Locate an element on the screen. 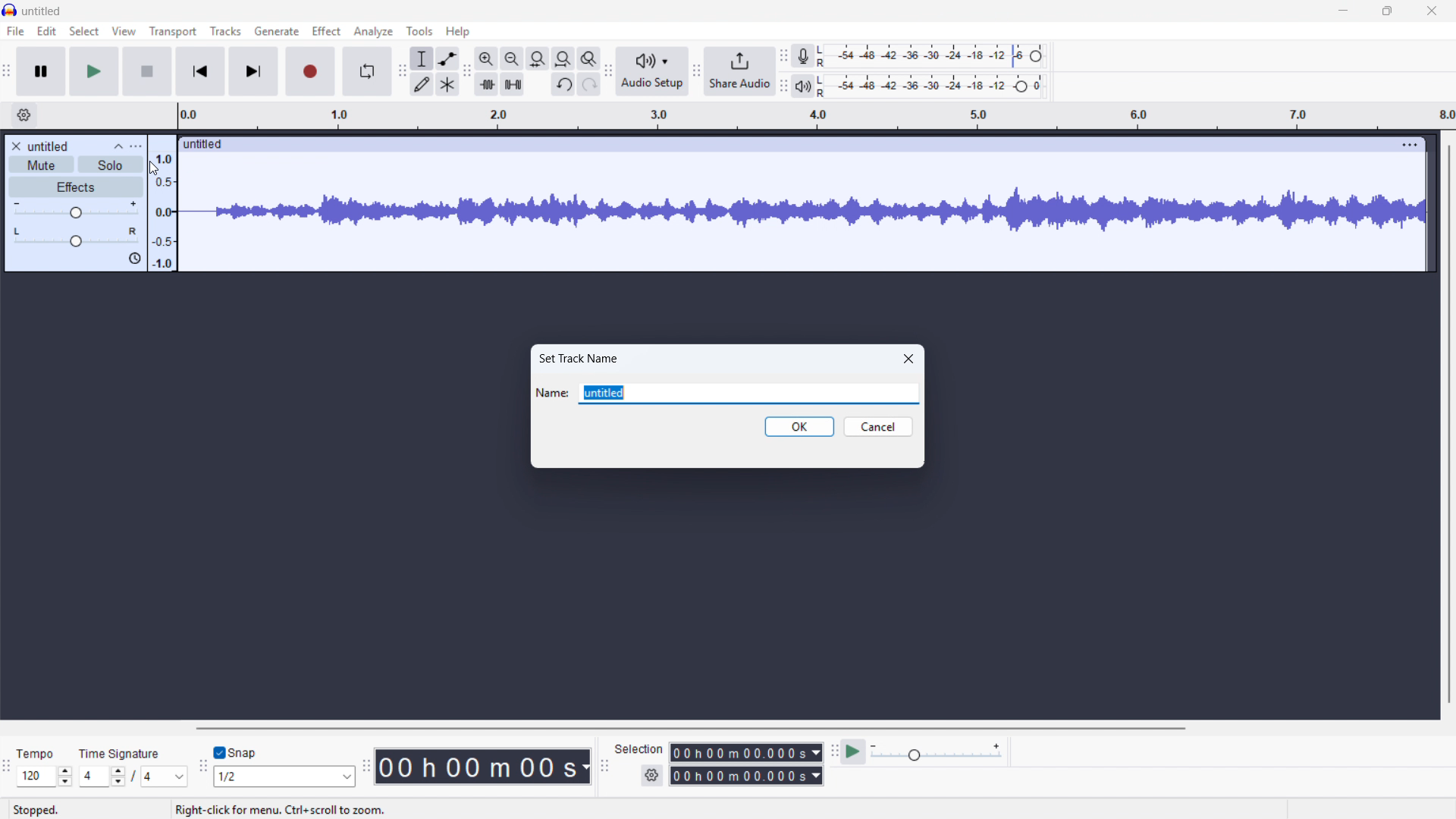 Image resolution: width=1456 pixels, height=819 pixels. Selection tool  is located at coordinates (422, 58).